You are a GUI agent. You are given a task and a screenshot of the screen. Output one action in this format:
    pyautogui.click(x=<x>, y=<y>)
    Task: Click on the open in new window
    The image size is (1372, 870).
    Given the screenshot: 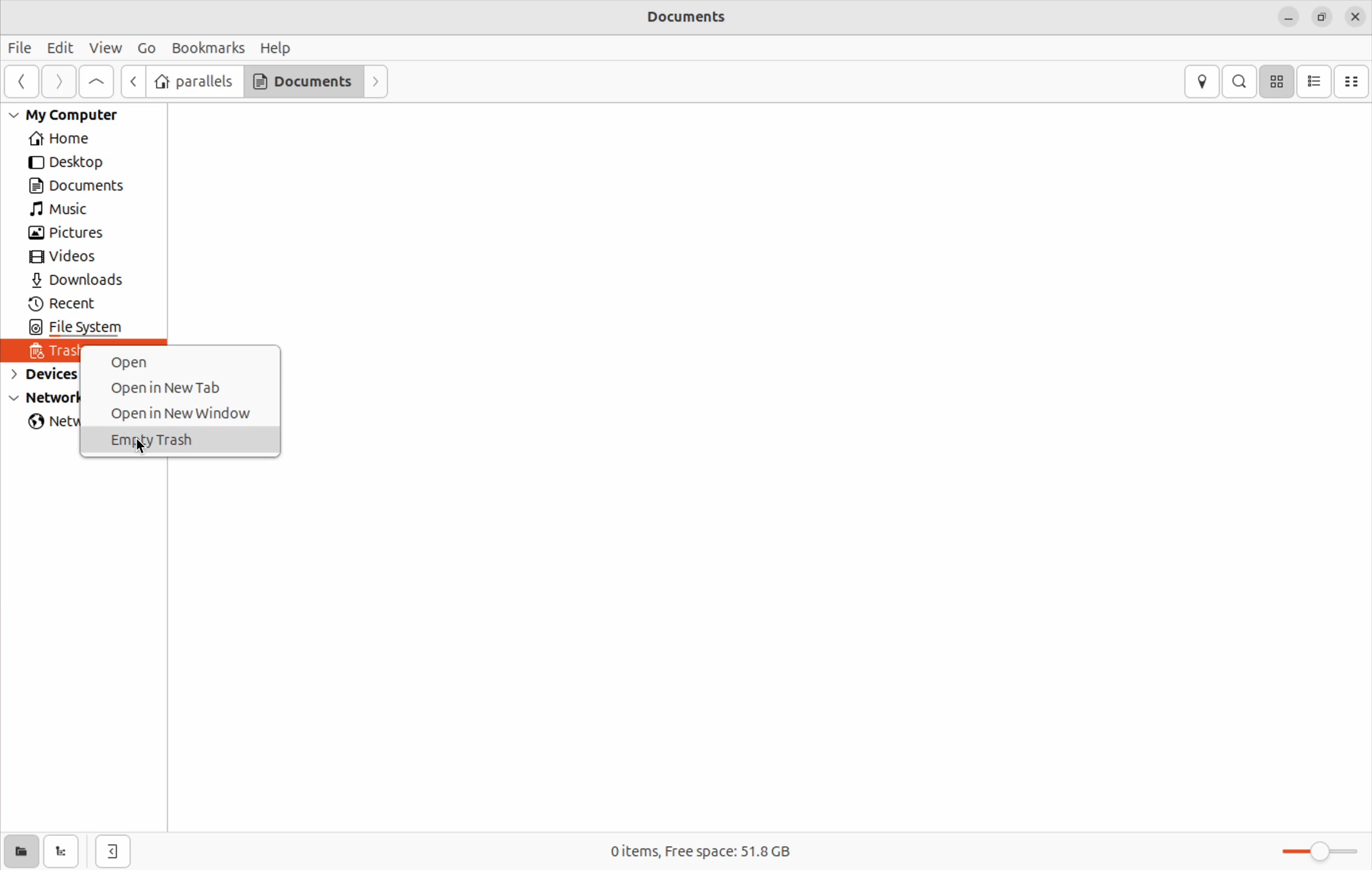 What is the action you would take?
    pyautogui.click(x=188, y=415)
    